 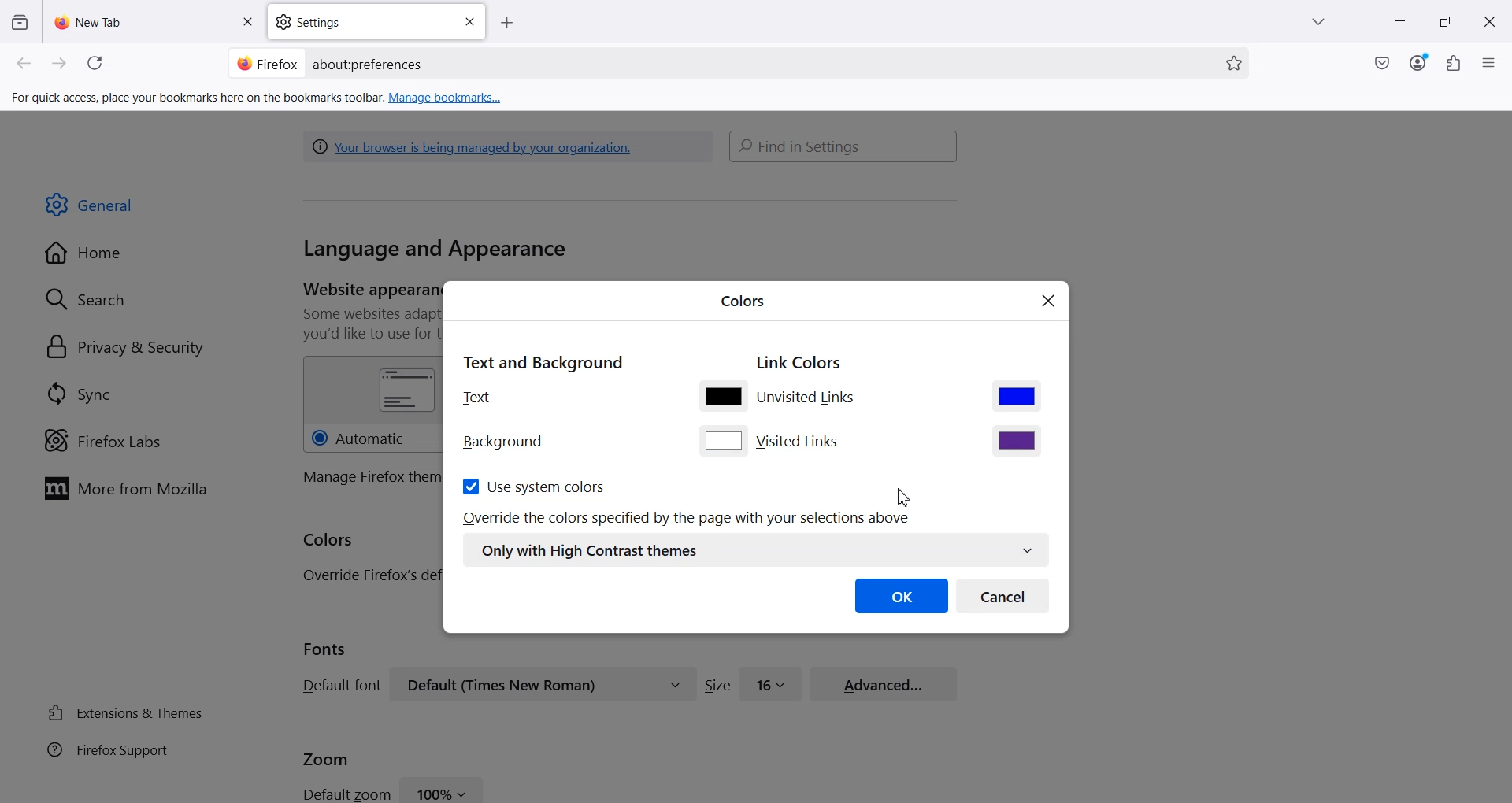 I want to click on Firefox Labs, so click(x=102, y=441).